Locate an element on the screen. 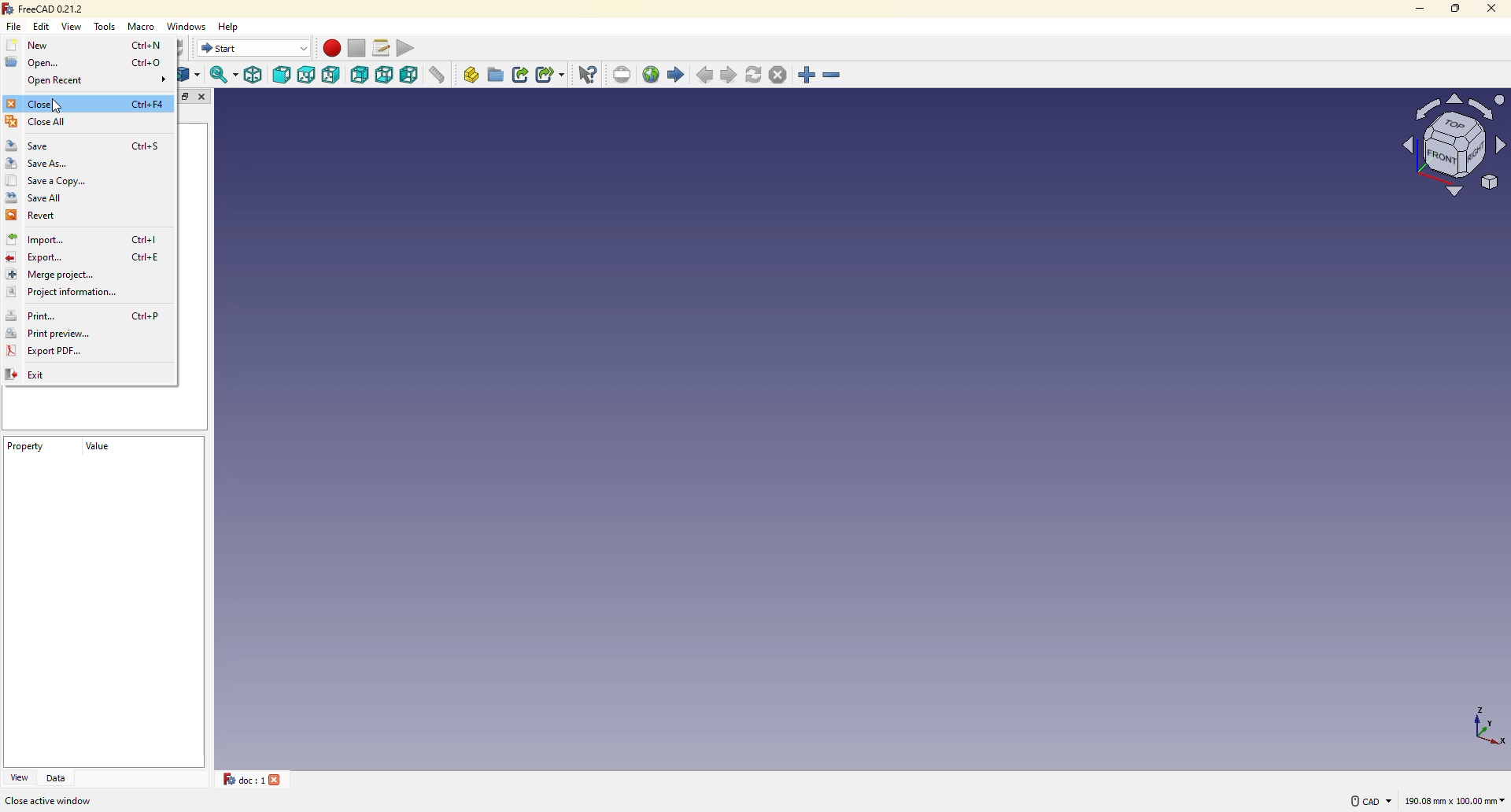 The height and width of the screenshot is (812, 1511). macros is located at coordinates (382, 46).